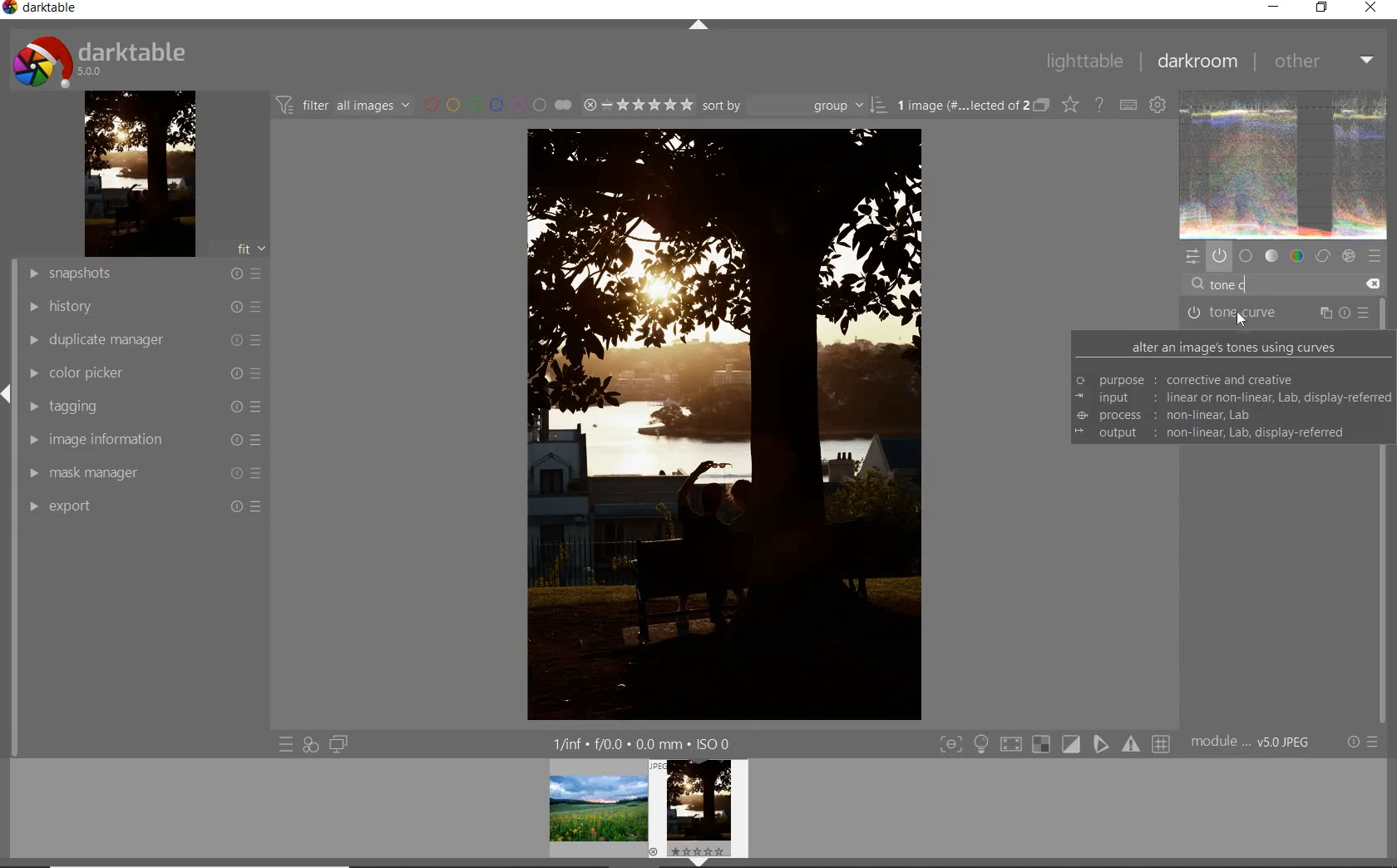  Describe the element at coordinates (1193, 255) in the screenshot. I see `quick access panel` at that location.